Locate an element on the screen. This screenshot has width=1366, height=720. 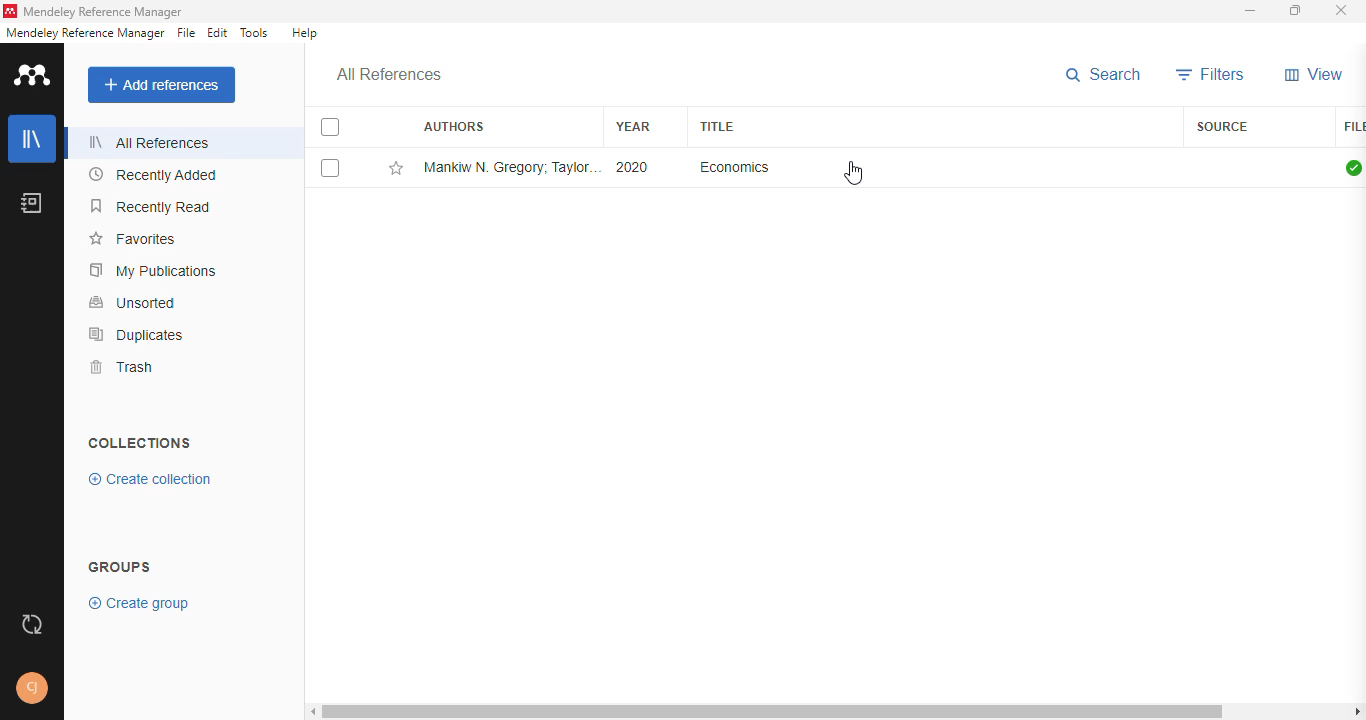
add references is located at coordinates (162, 85).